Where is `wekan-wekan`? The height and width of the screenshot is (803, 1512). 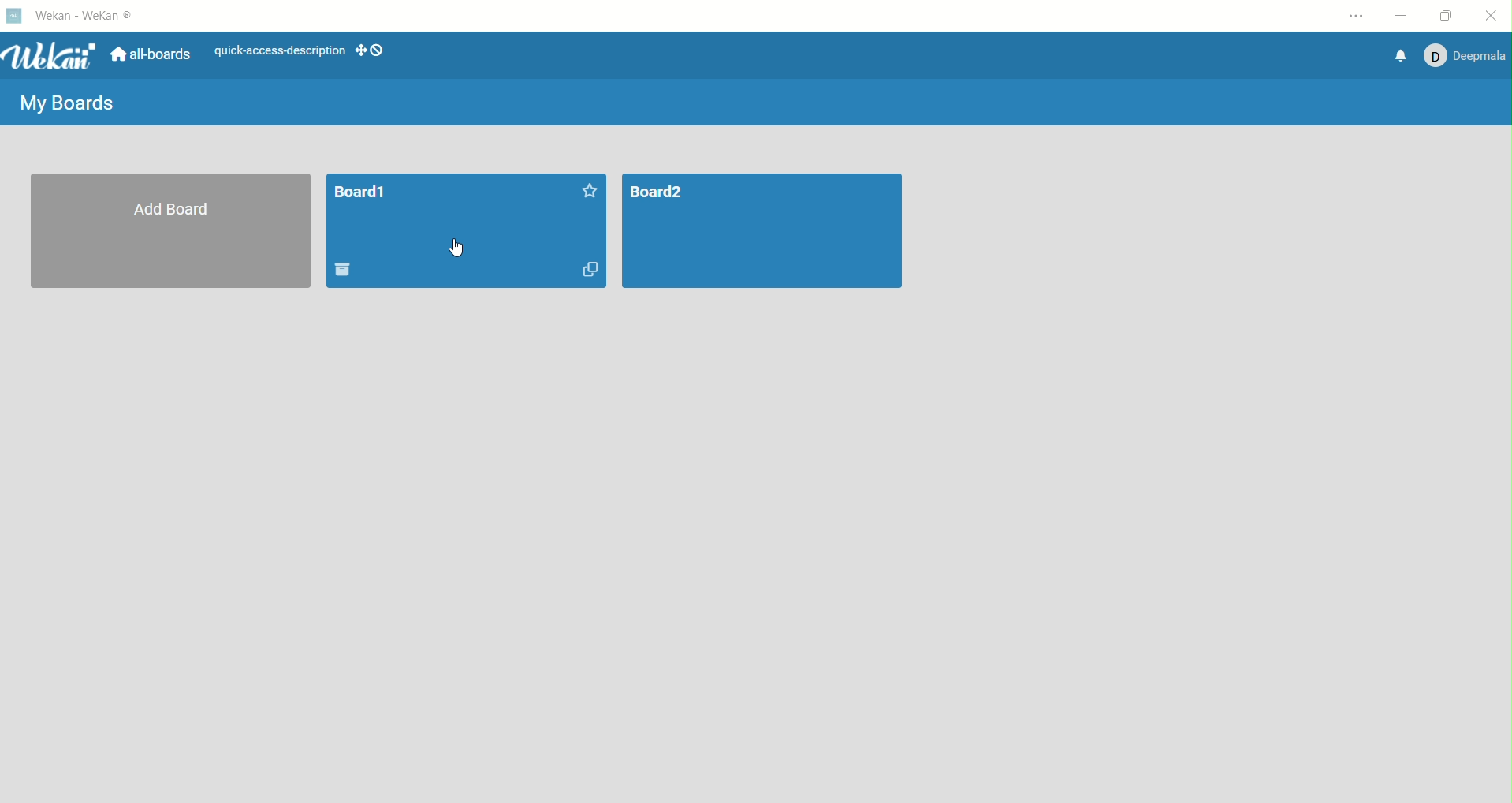 wekan-wekan is located at coordinates (86, 16).